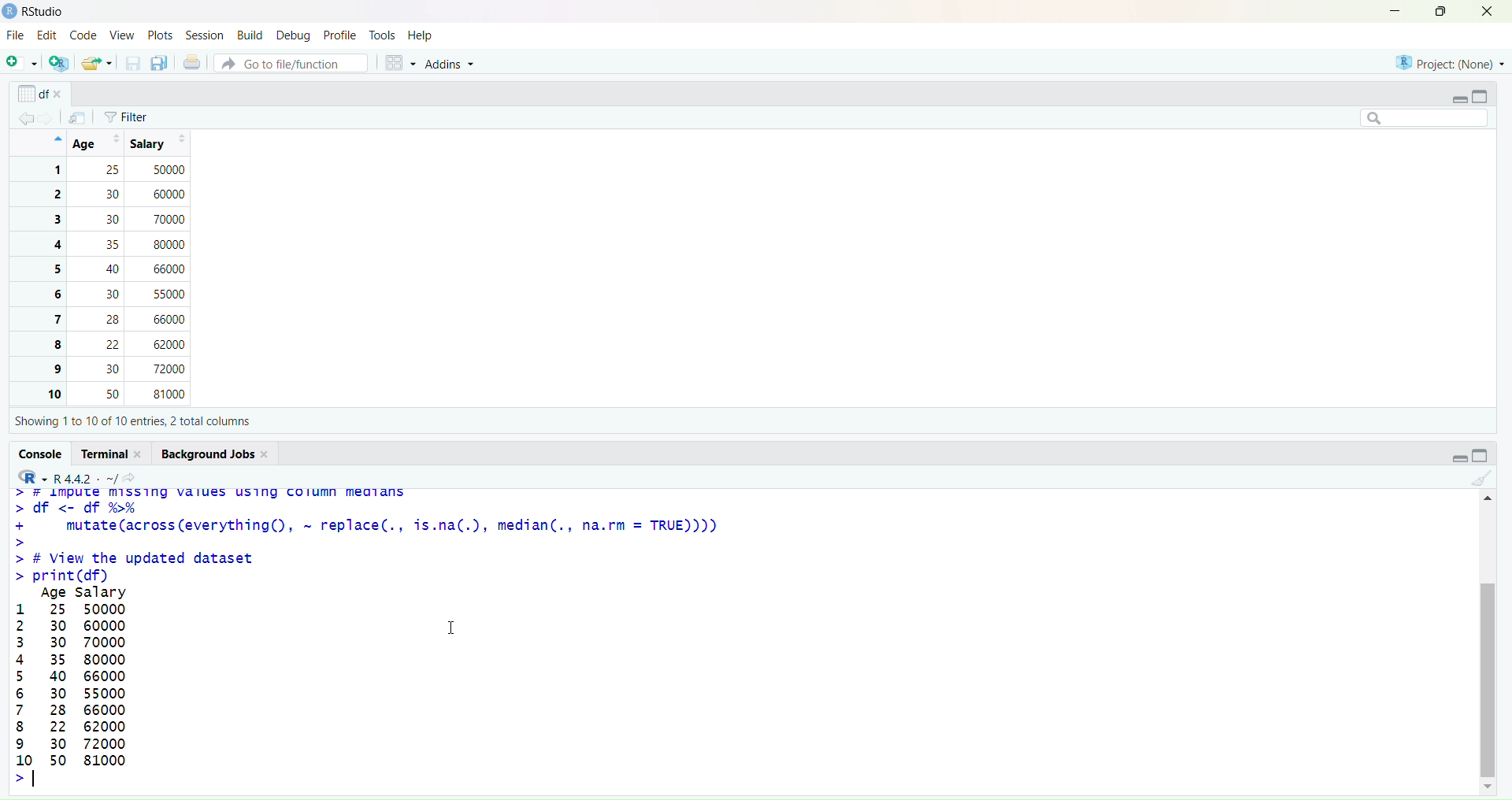 Image resolution: width=1512 pixels, height=800 pixels. What do you see at coordinates (42, 93) in the screenshot?
I see `options of x` at bounding box center [42, 93].